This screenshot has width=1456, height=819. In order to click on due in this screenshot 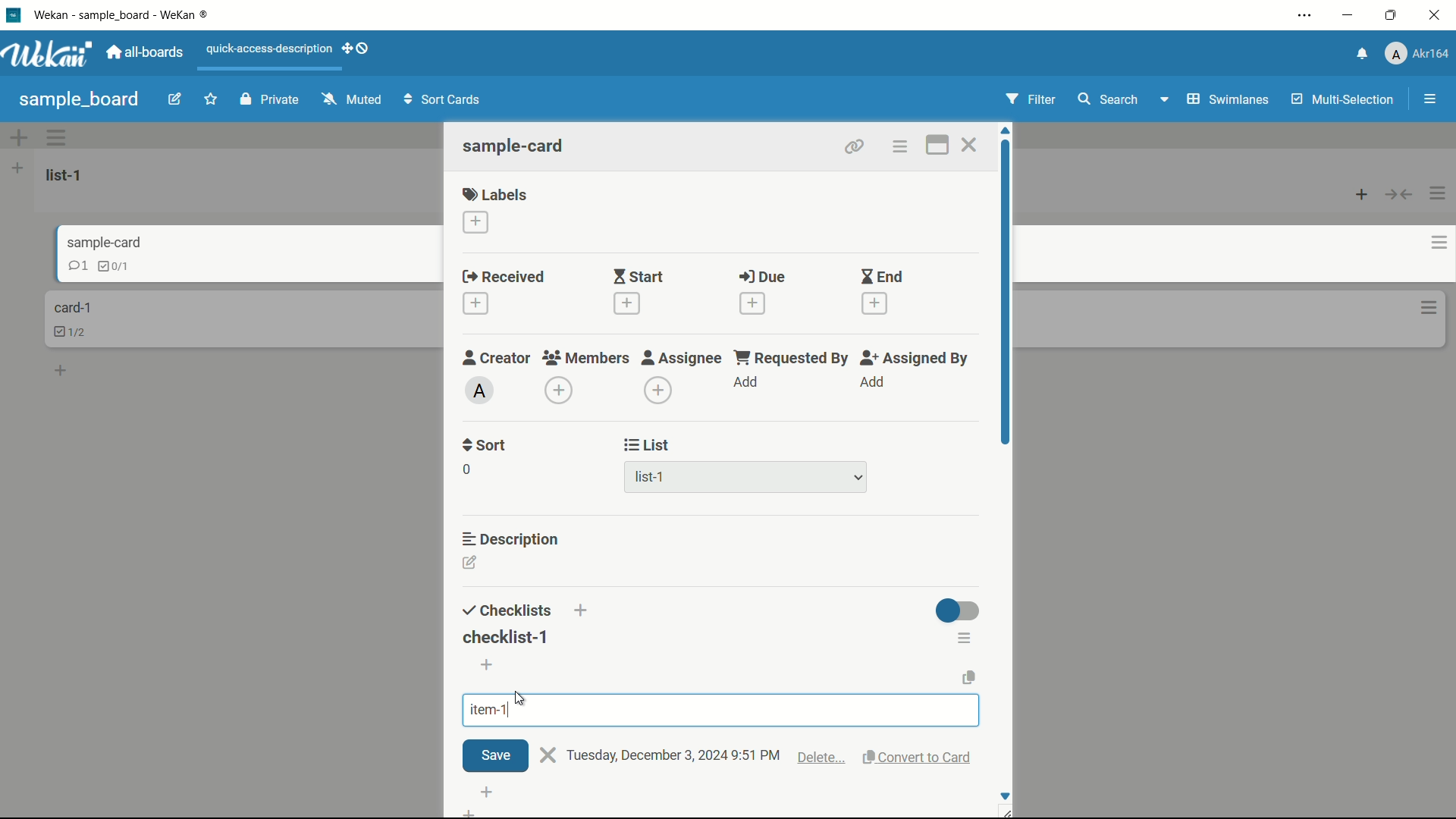, I will do `click(763, 277)`.